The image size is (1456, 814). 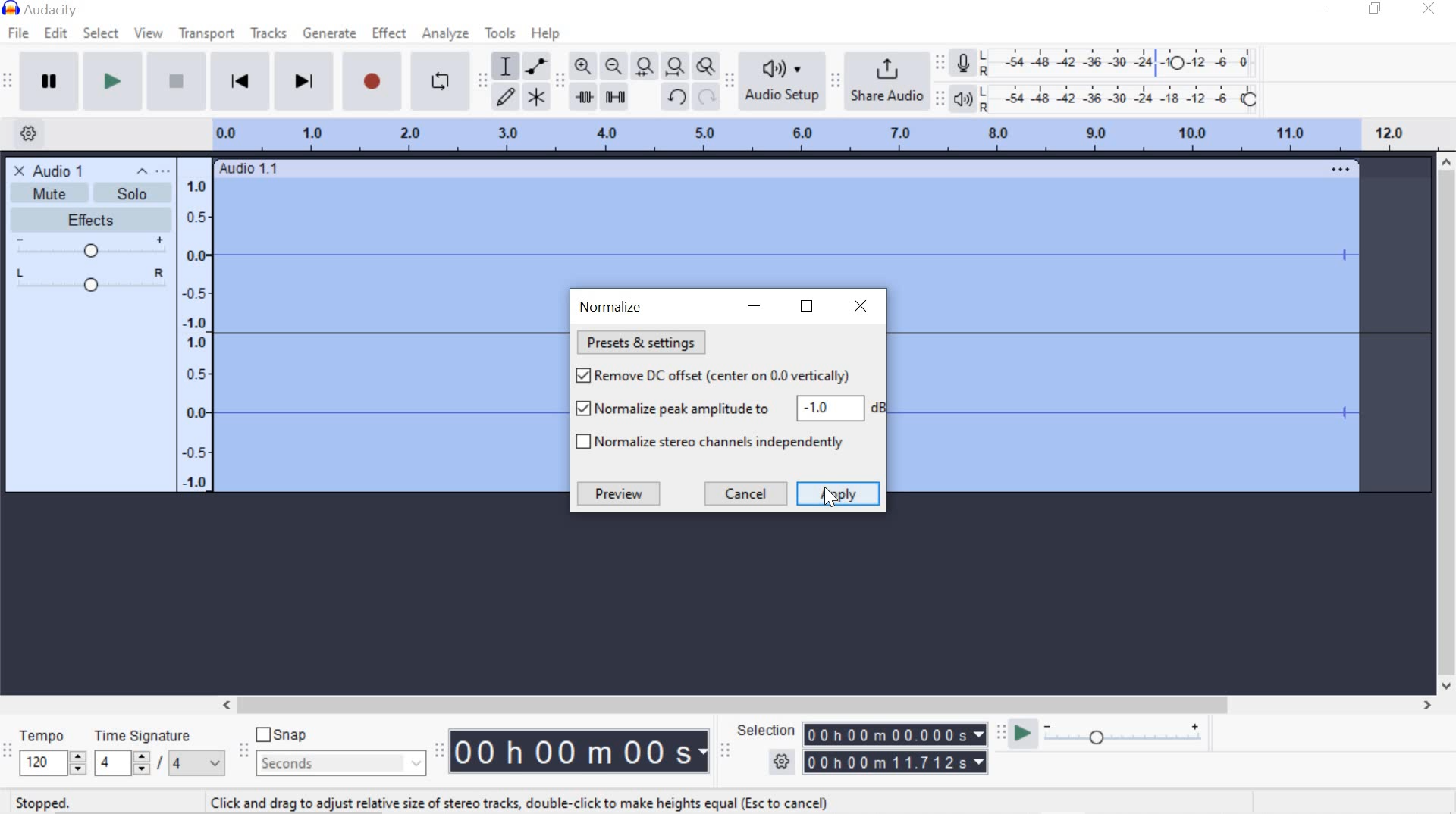 I want to click on normalize, so click(x=610, y=305).